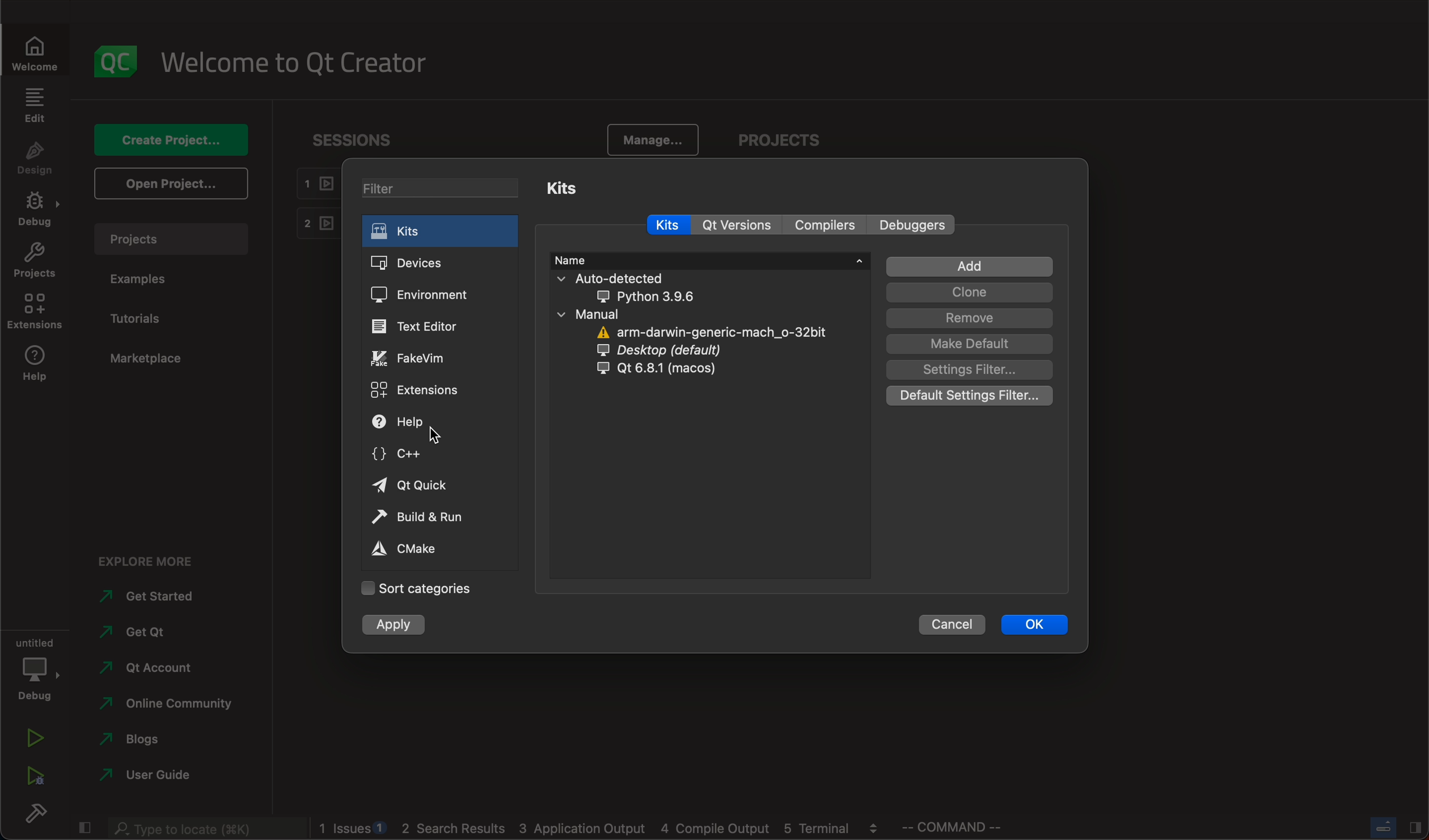 This screenshot has height=840, width=1429. Describe the element at coordinates (36, 164) in the screenshot. I see `design` at that location.